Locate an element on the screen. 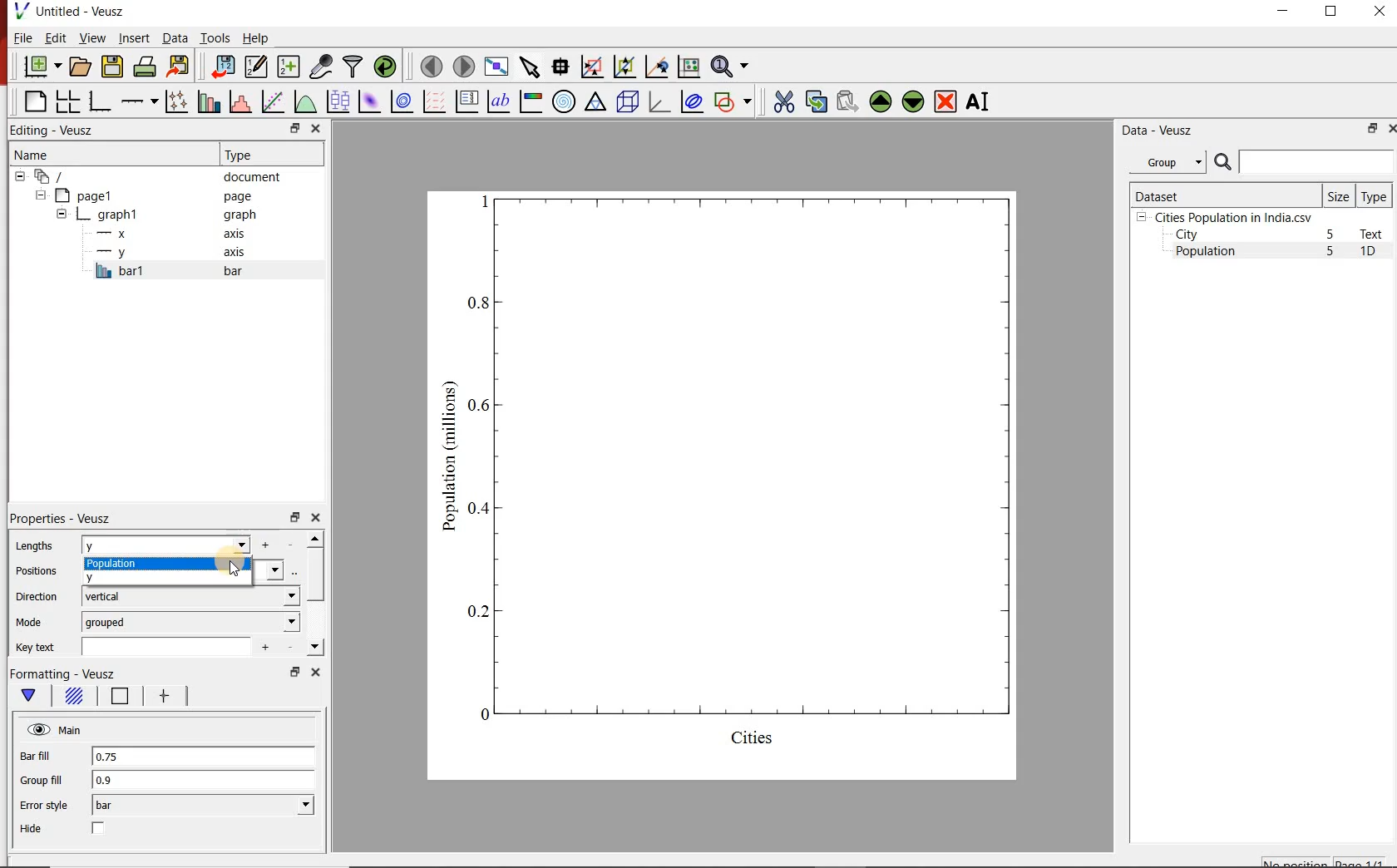 The width and height of the screenshot is (1397, 868). plot a function is located at coordinates (304, 101).